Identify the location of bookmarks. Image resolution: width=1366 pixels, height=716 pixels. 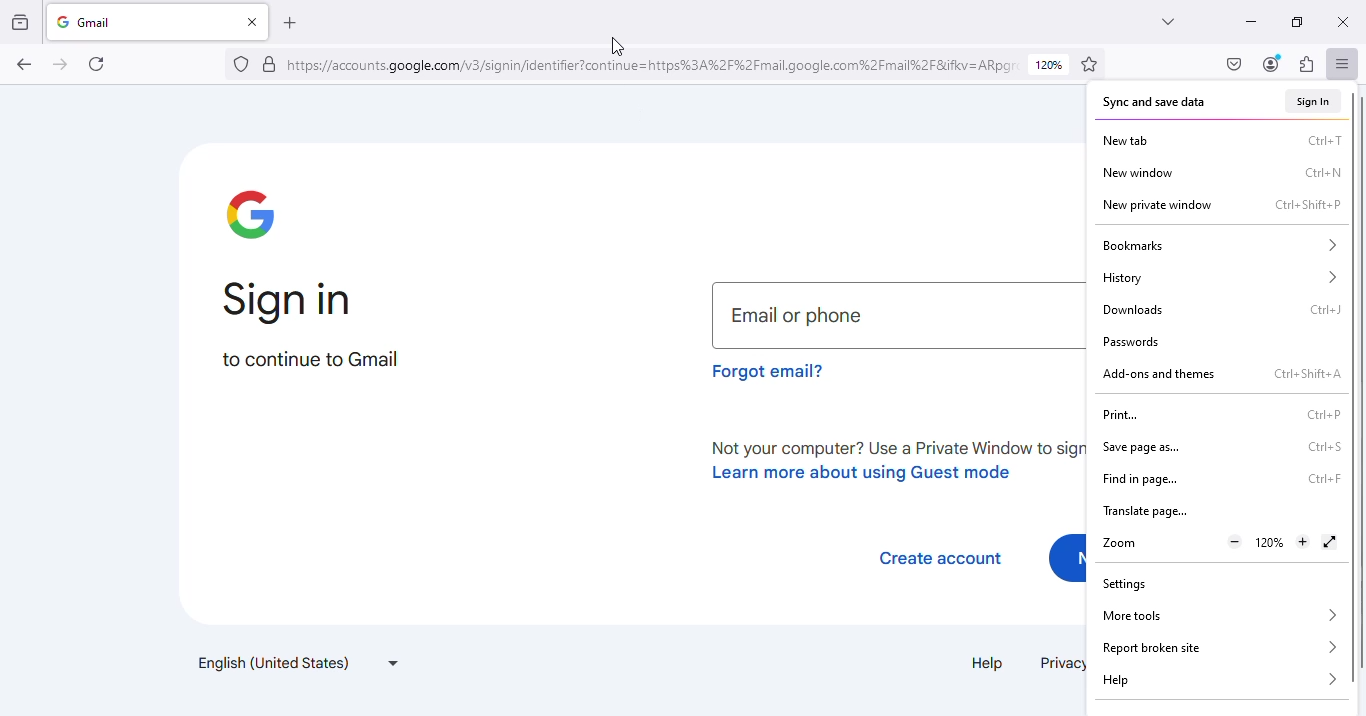
(1219, 246).